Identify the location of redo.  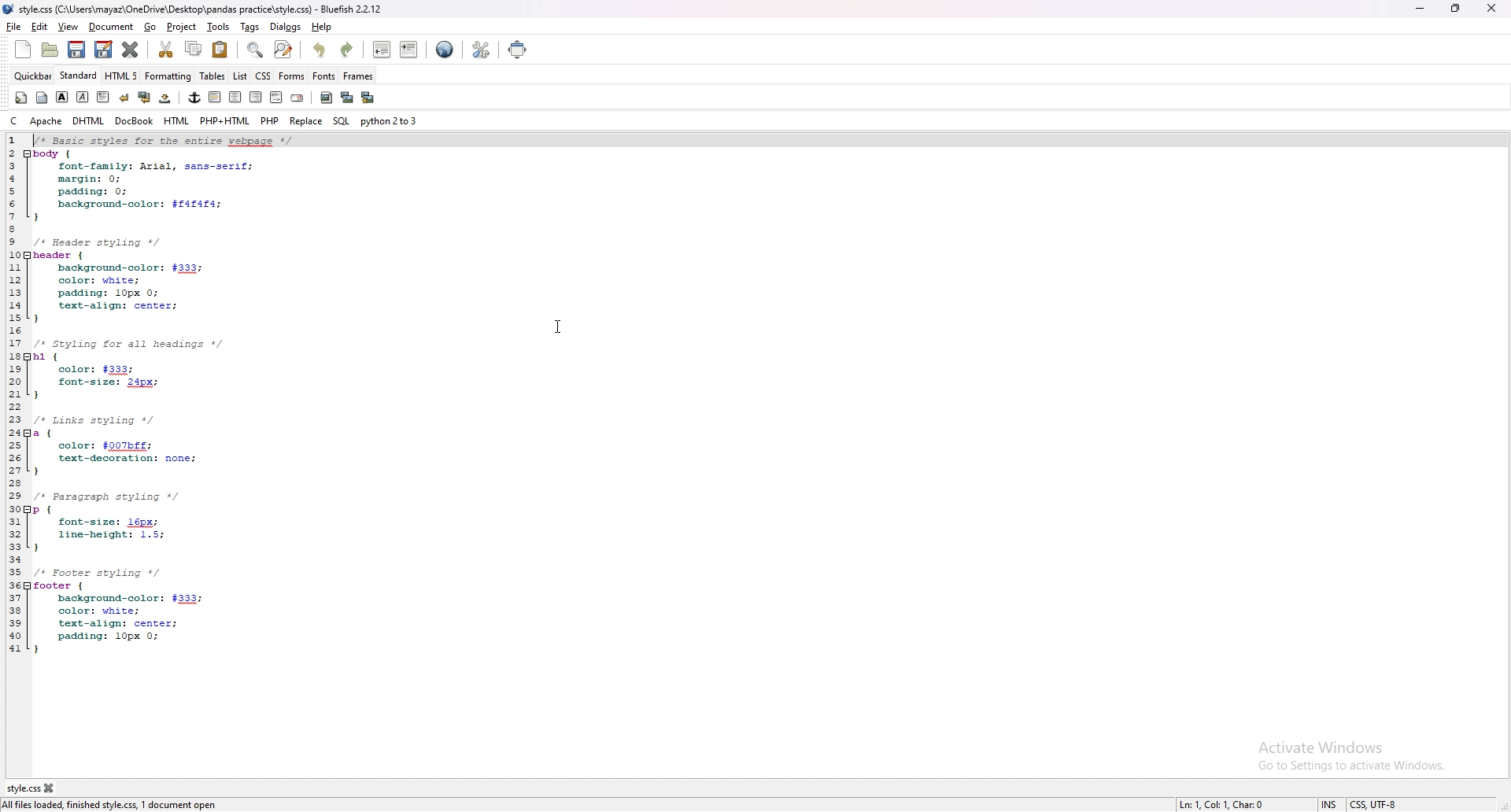
(350, 50).